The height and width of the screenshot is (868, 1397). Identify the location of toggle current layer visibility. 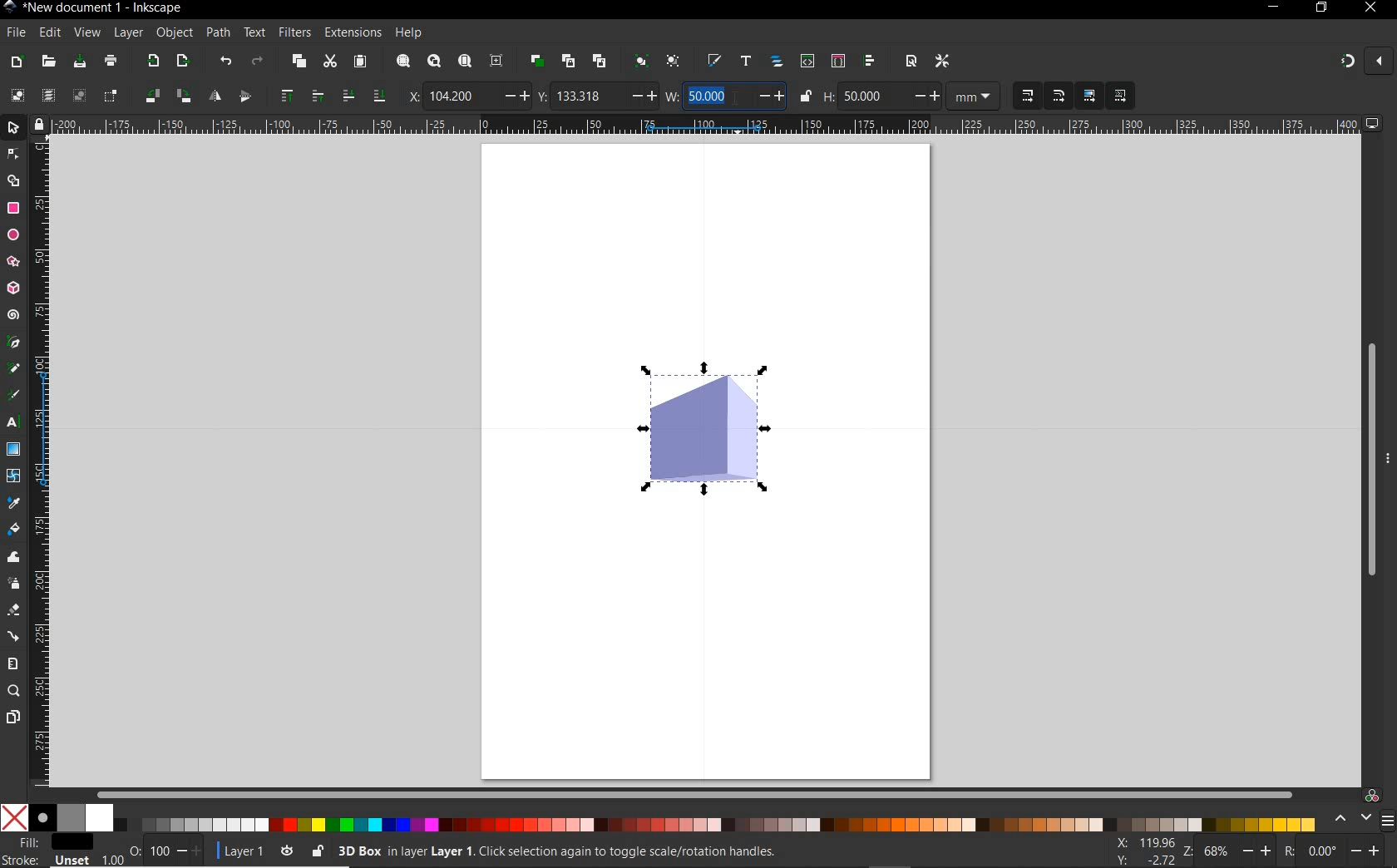
(284, 851).